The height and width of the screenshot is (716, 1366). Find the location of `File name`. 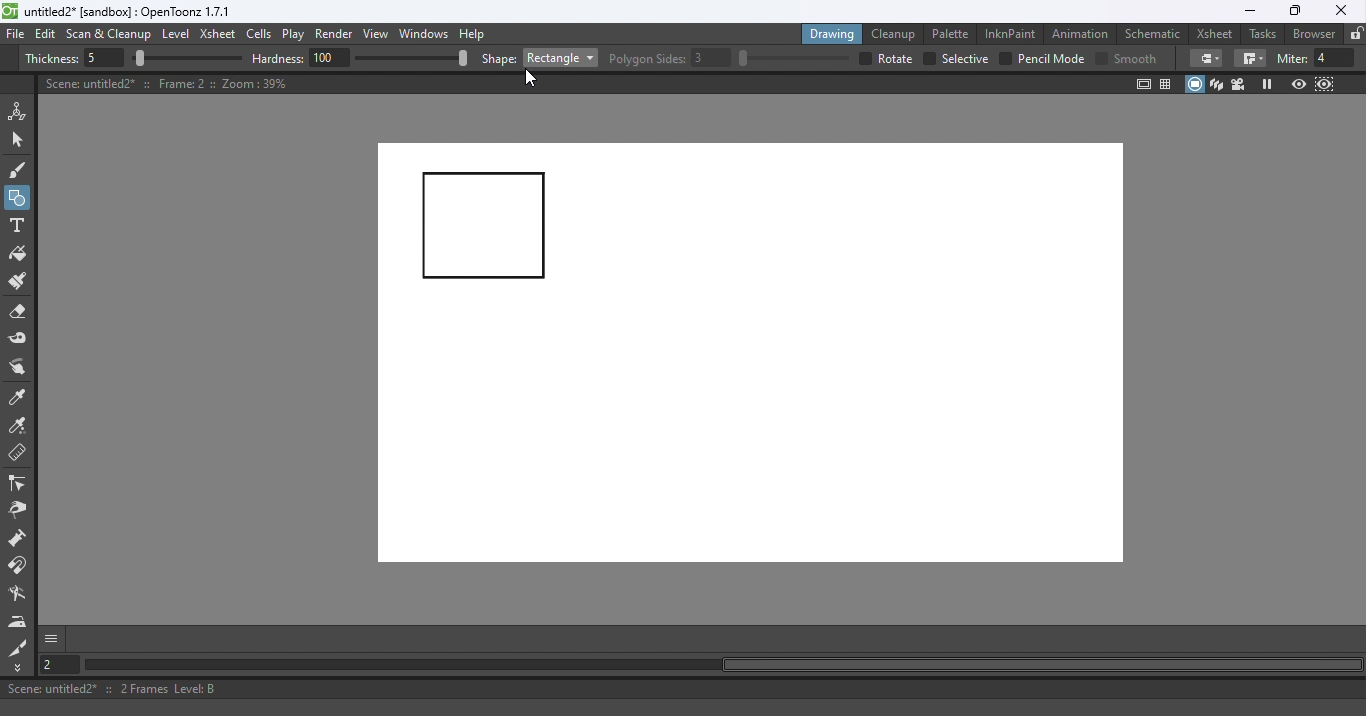

File name is located at coordinates (129, 12).